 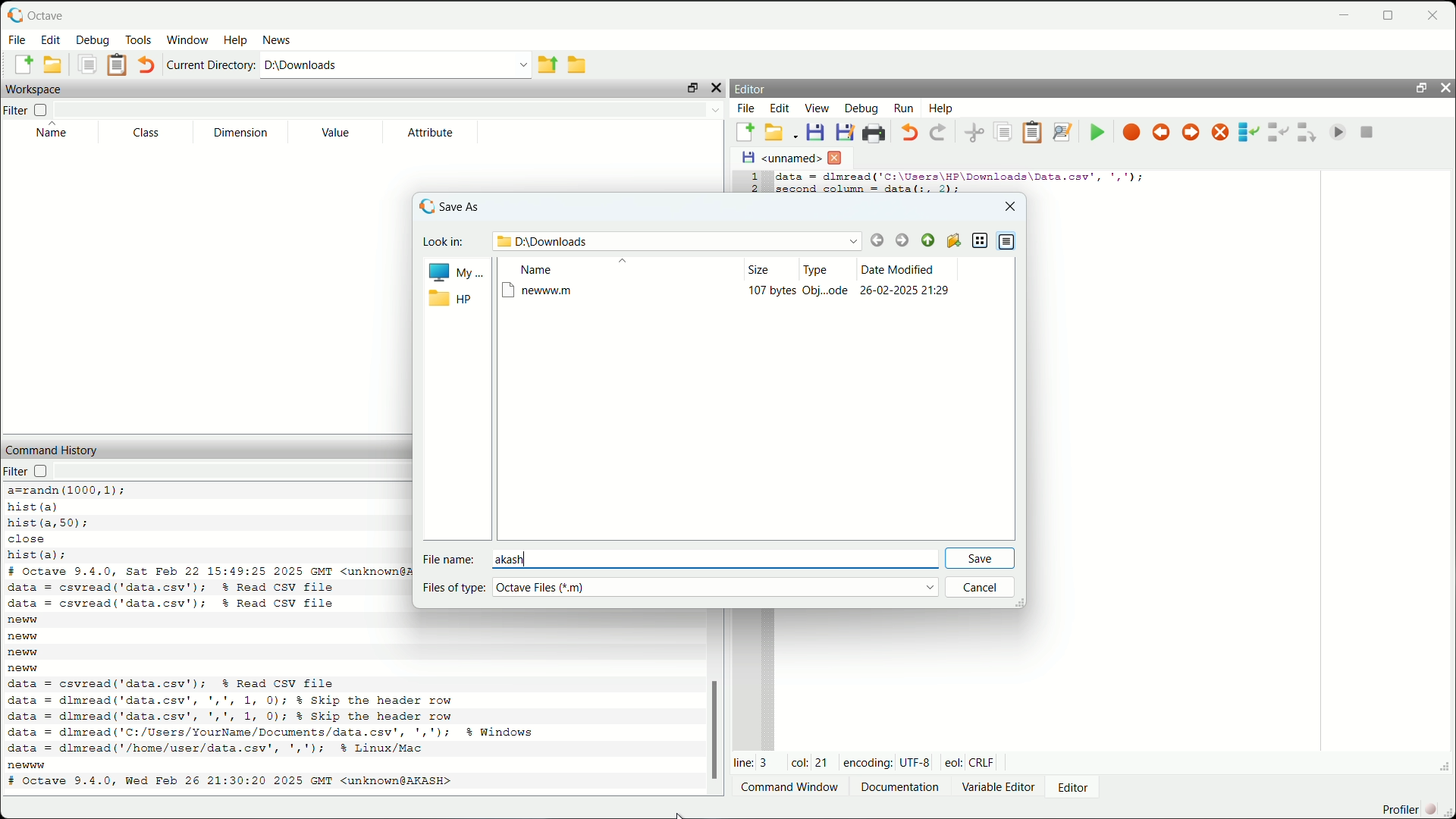 I want to click on save file, so click(x=817, y=135).